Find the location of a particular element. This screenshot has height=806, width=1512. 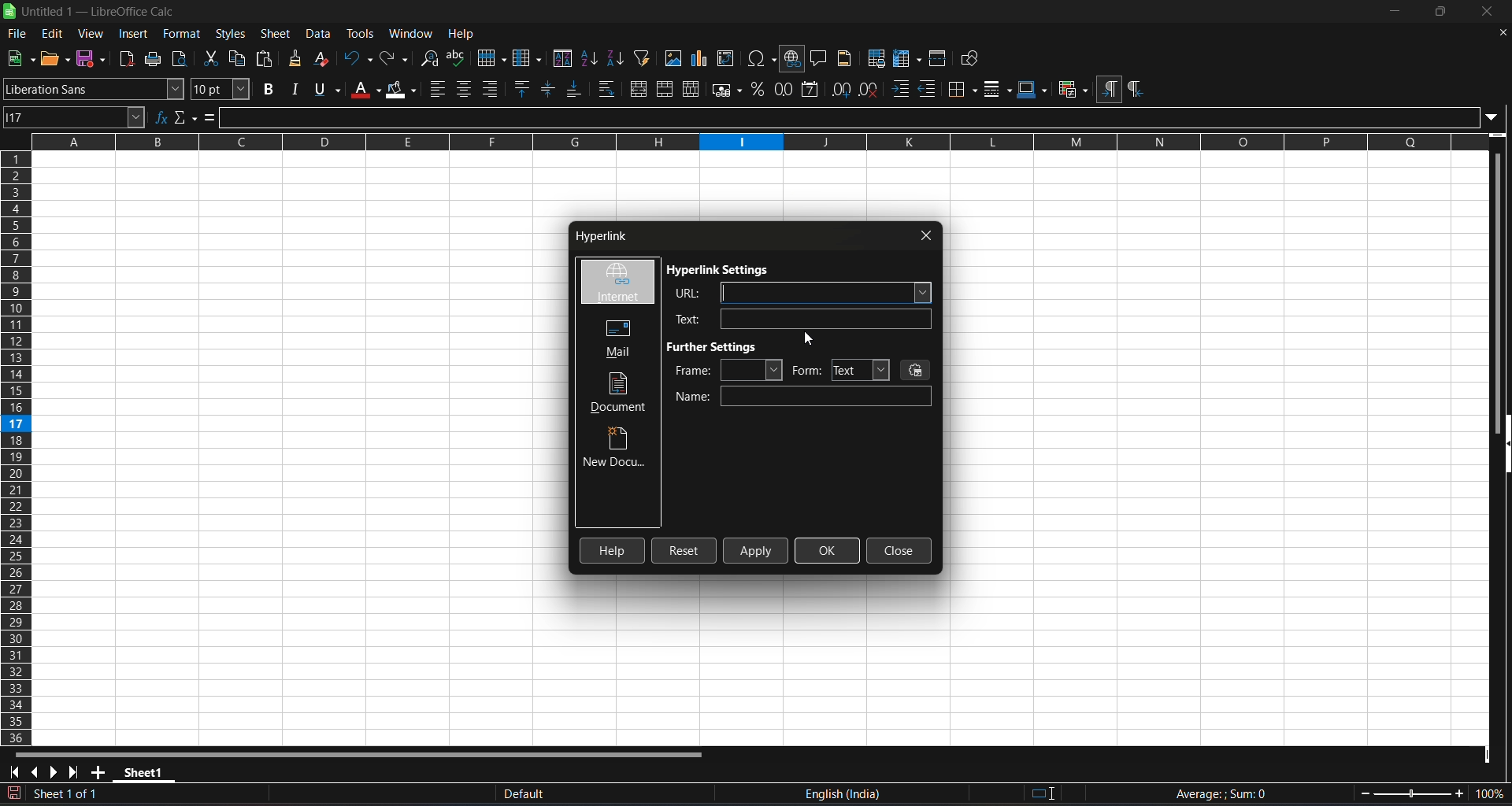

file is located at coordinates (17, 35).